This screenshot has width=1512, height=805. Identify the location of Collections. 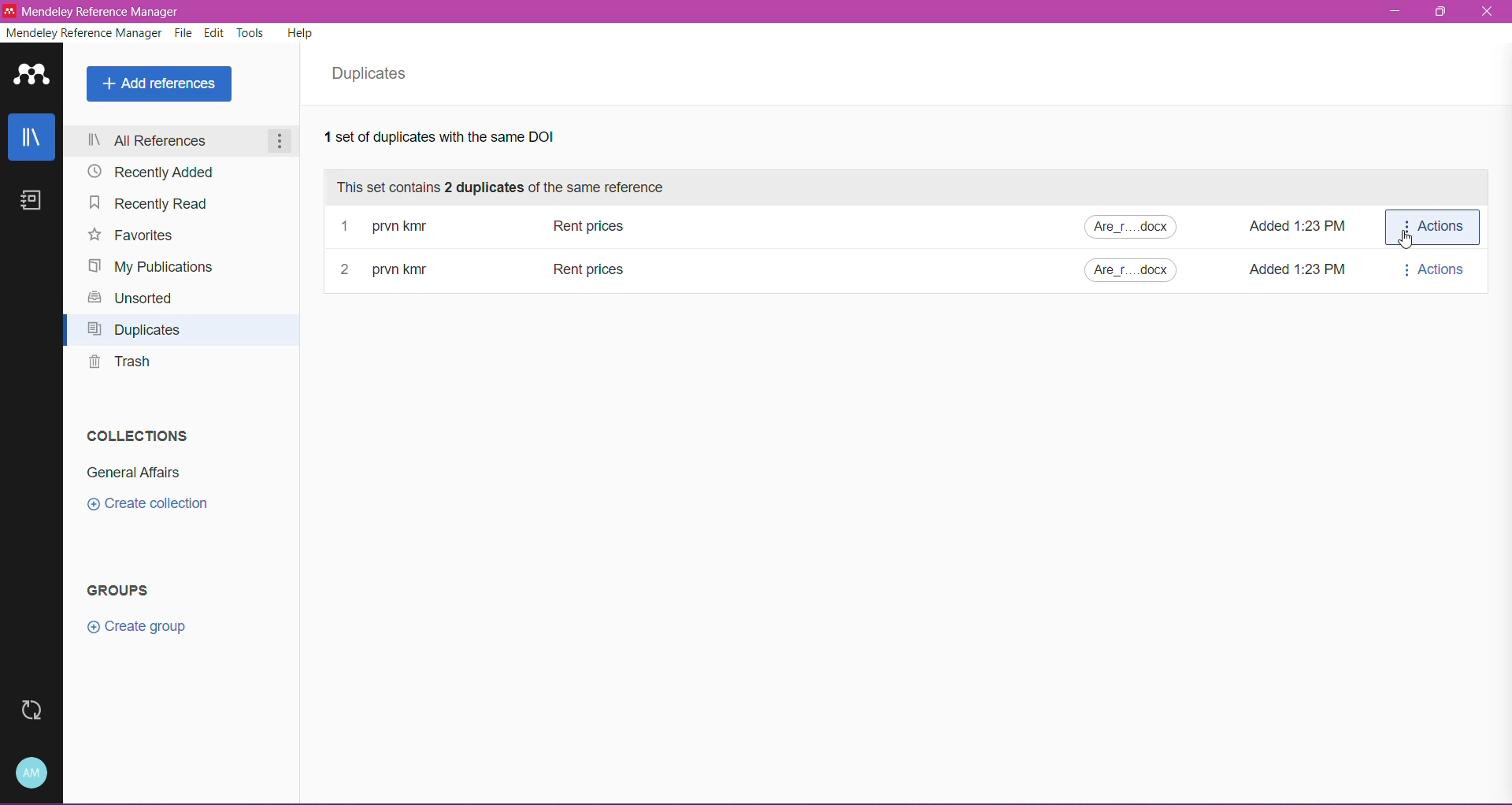
(134, 433).